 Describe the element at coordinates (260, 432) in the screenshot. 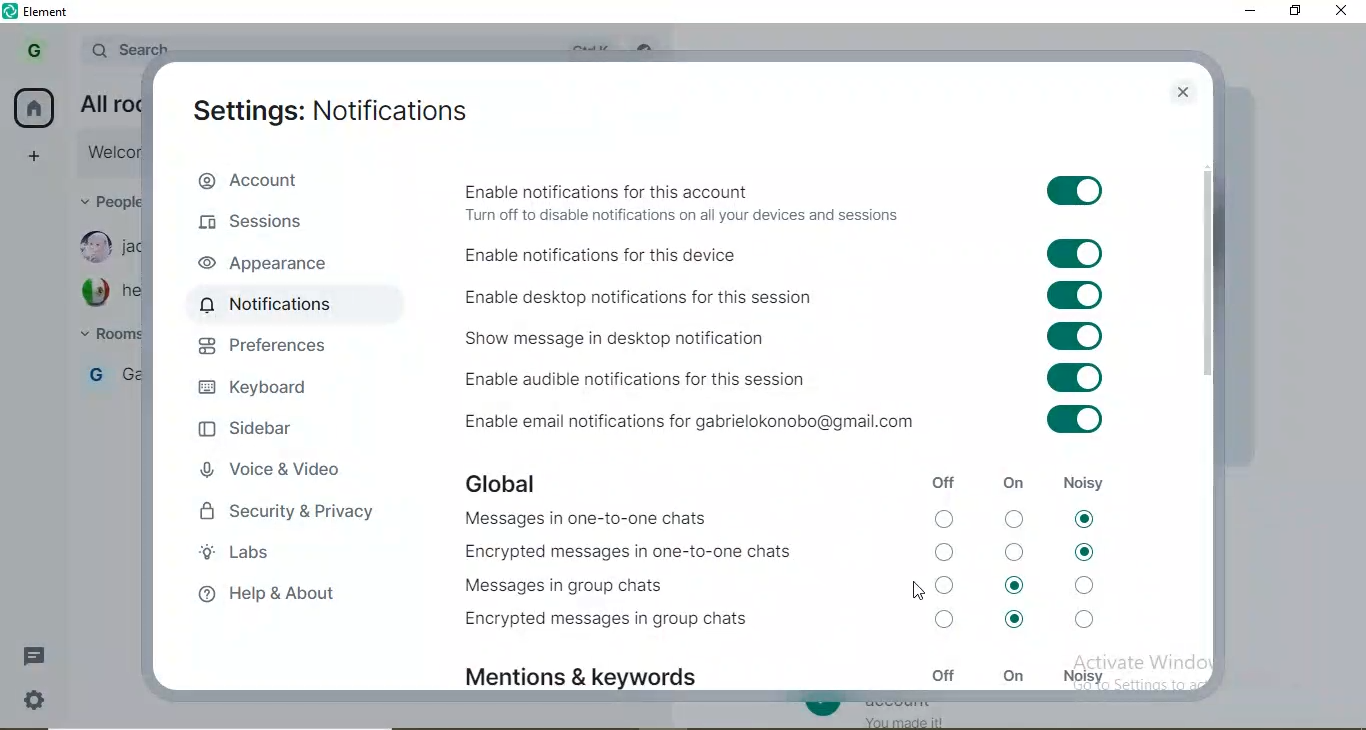

I see `sidebar` at that location.